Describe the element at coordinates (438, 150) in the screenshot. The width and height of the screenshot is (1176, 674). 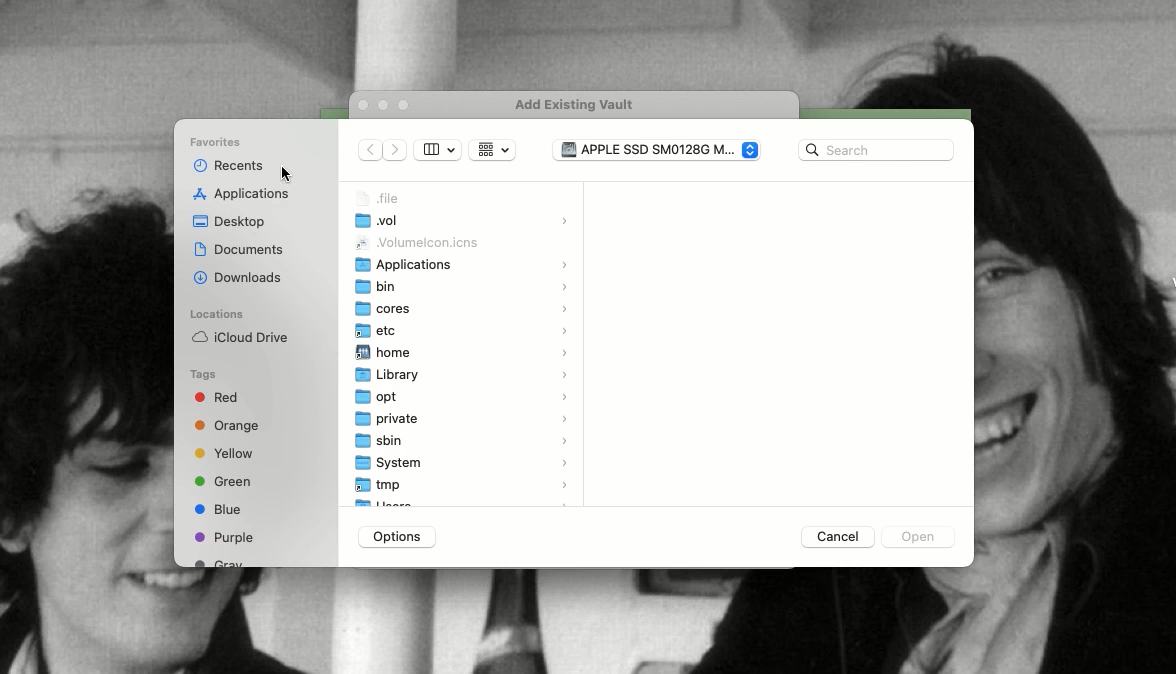
I see `View format` at that location.